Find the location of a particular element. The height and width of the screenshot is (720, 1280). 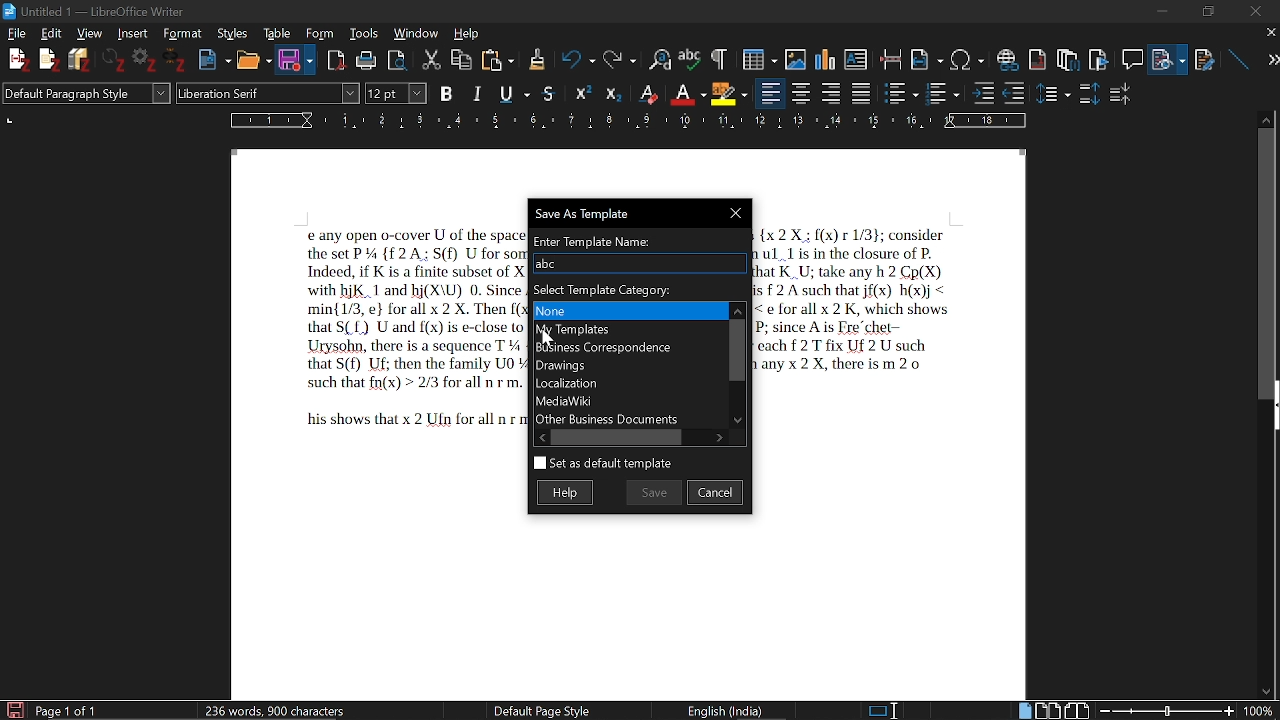

insert bookmark is located at coordinates (1100, 57).